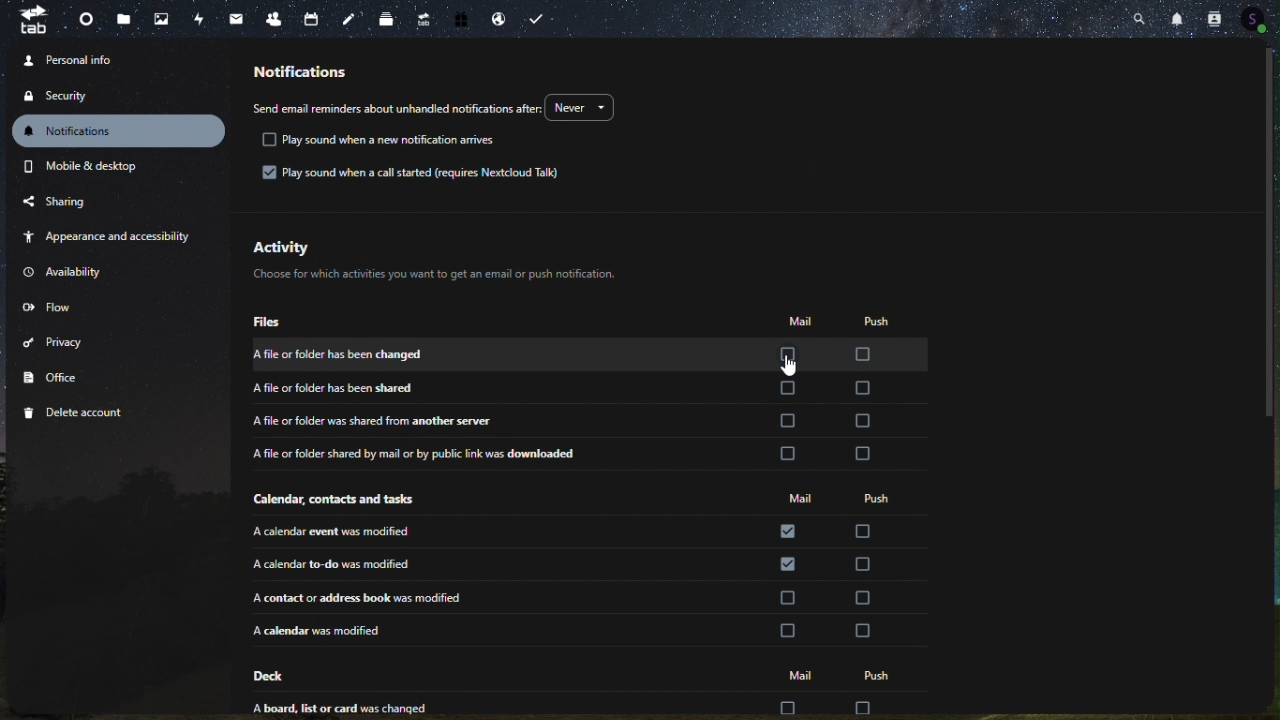  What do you see at coordinates (790, 566) in the screenshot?
I see `check box` at bounding box center [790, 566].